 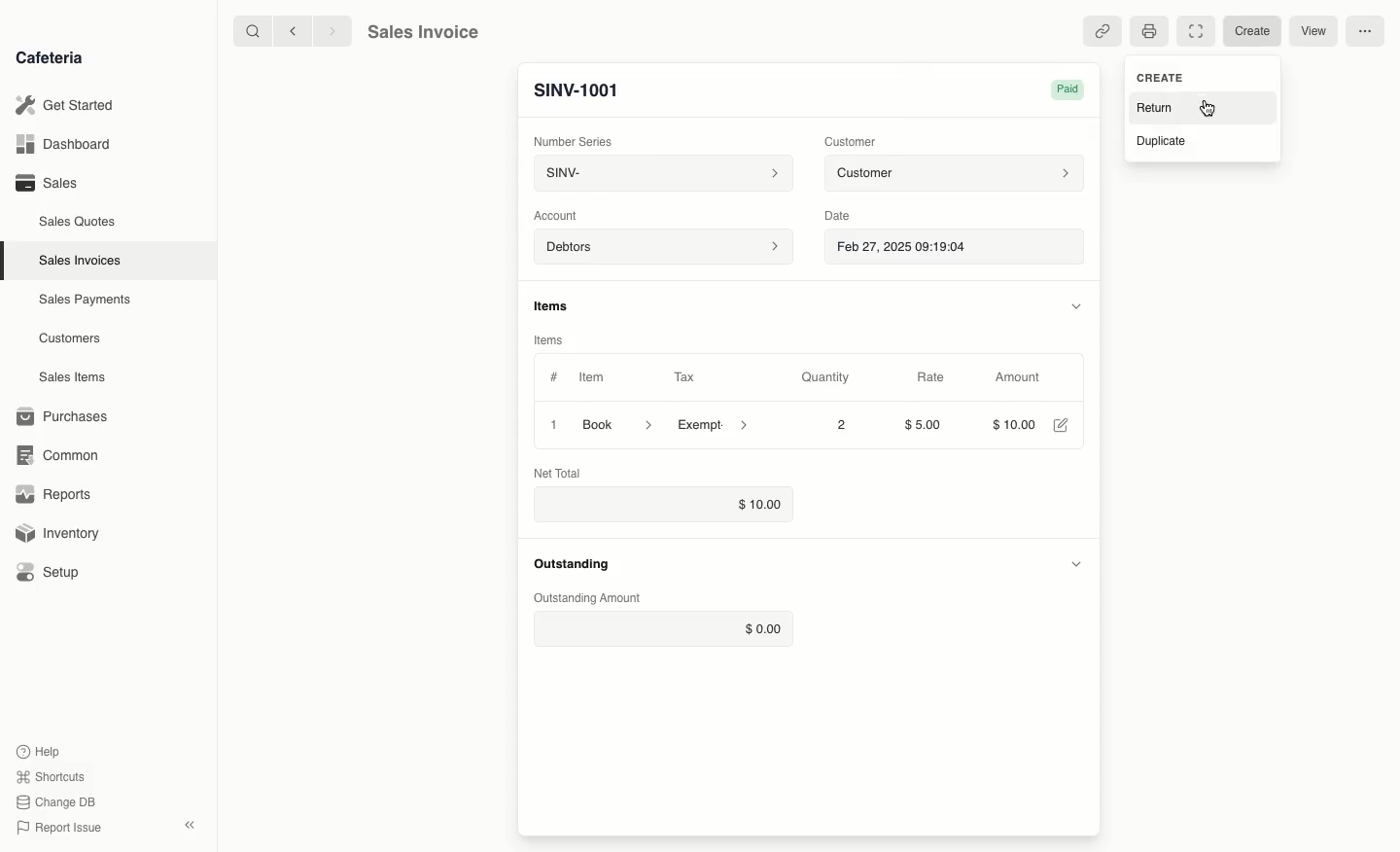 What do you see at coordinates (592, 376) in the screenshot?
I see `Item` at bounding box center [592, 376].